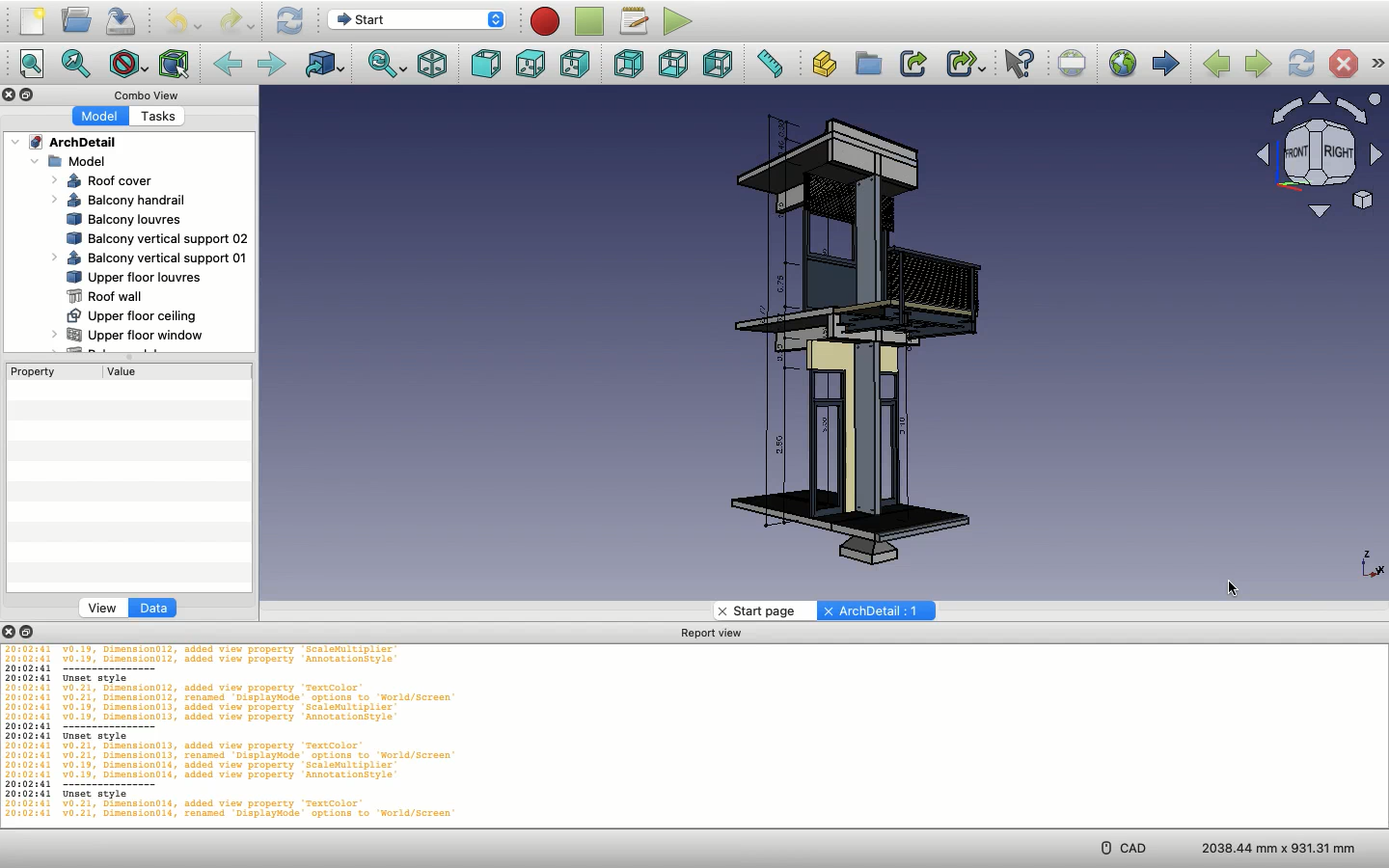 Image resolution: width=1389 pixels, height=868 pixels. Describe the element at coordinates (848, 337) in the screenshot. I see `Model` at that location.